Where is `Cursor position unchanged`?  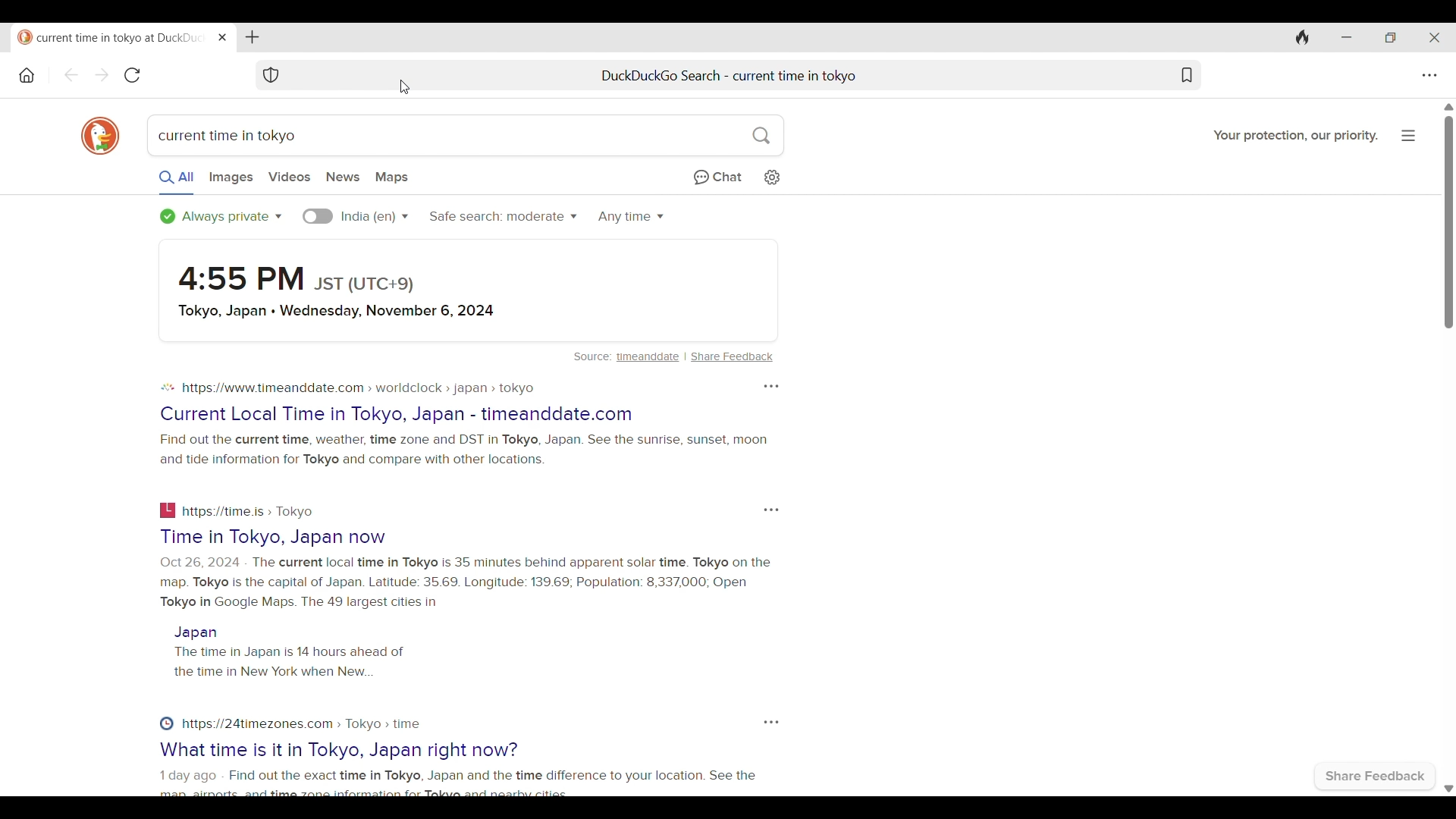 Cursor position unchanged is located at coordinates (404, 87).